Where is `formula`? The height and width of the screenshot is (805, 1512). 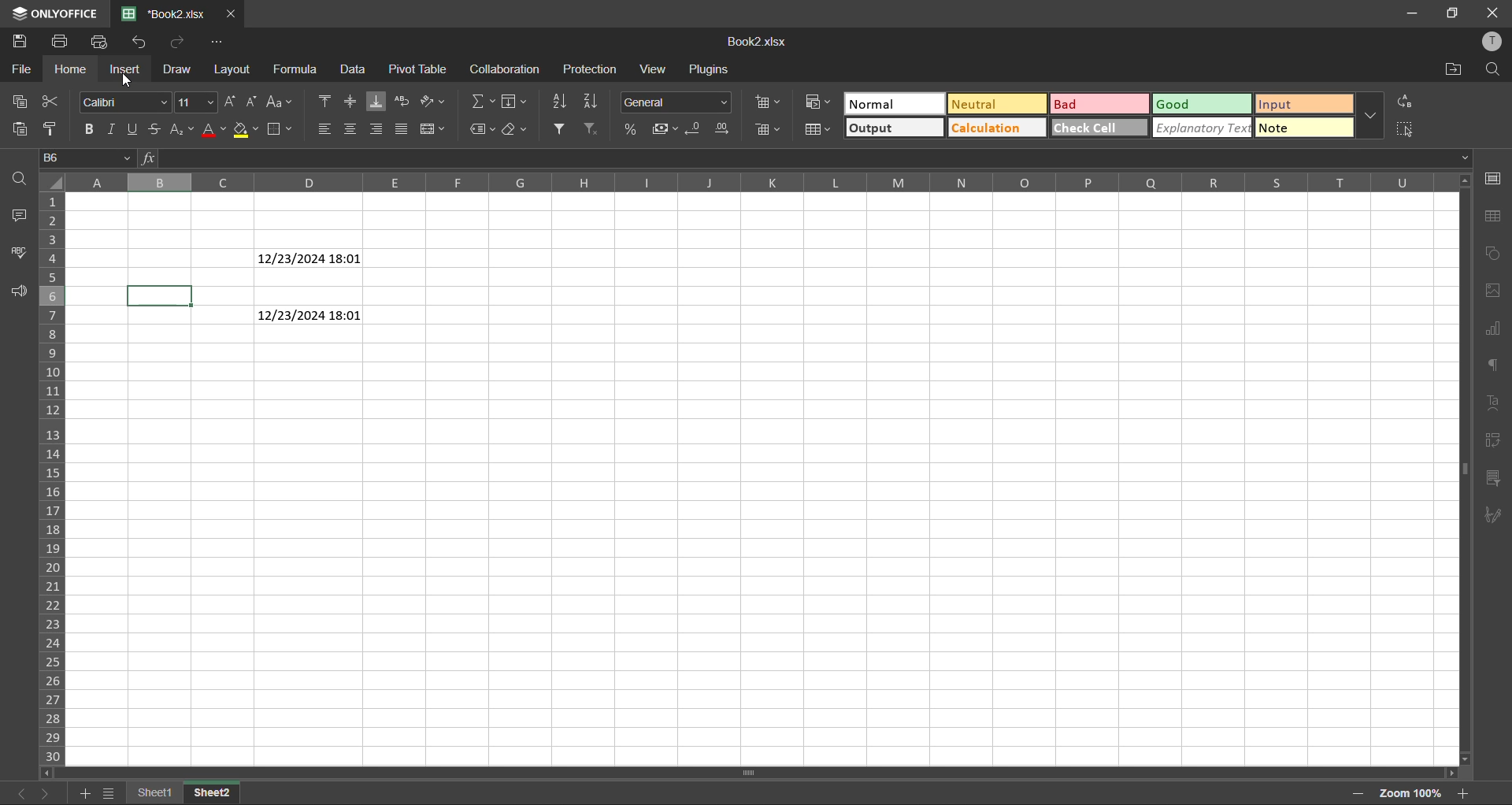 formula is located at coordinates (300, 69).